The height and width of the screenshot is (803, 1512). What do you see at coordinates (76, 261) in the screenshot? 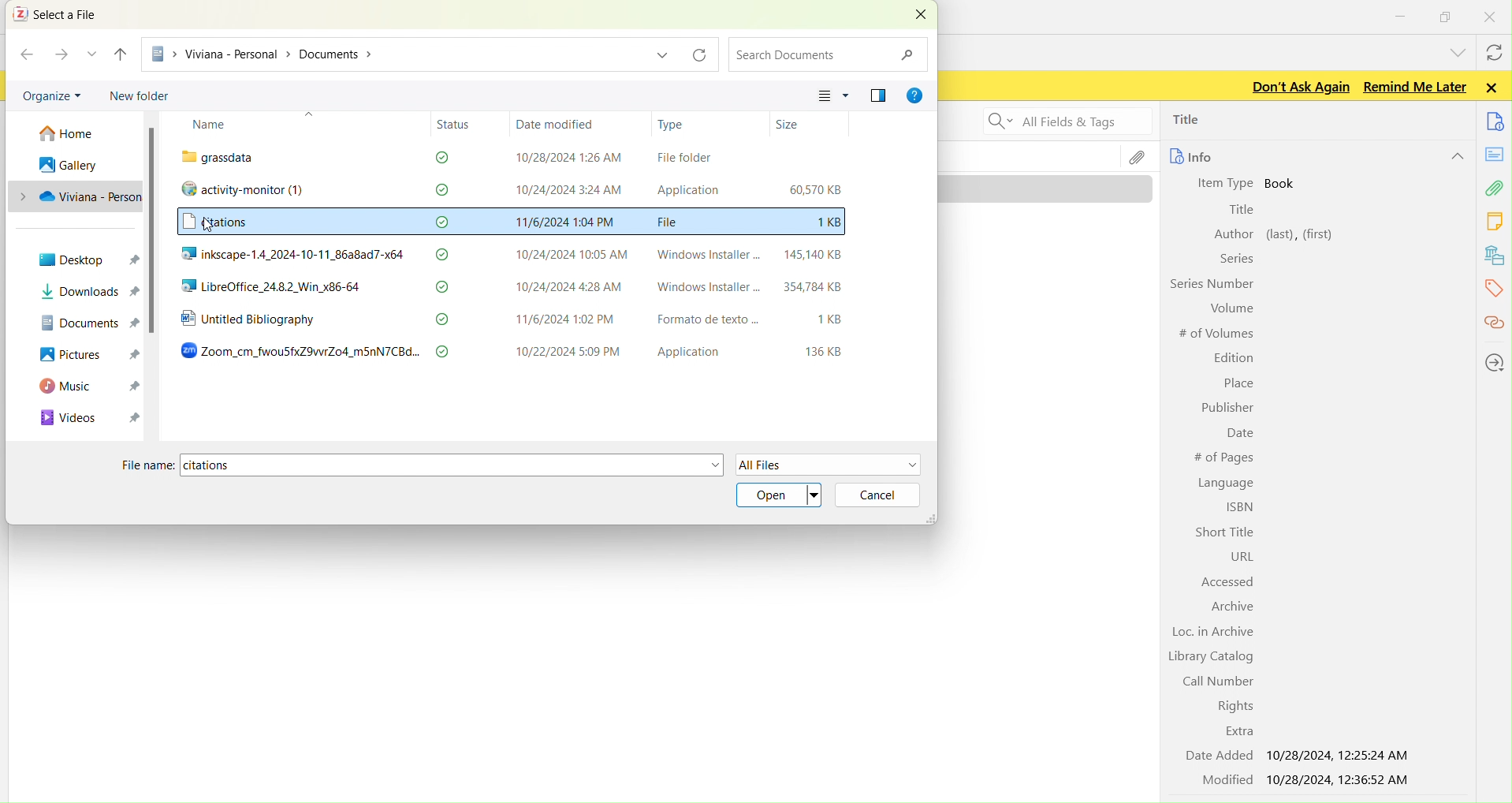
I see `desktop` at bounding box center [76, 261].